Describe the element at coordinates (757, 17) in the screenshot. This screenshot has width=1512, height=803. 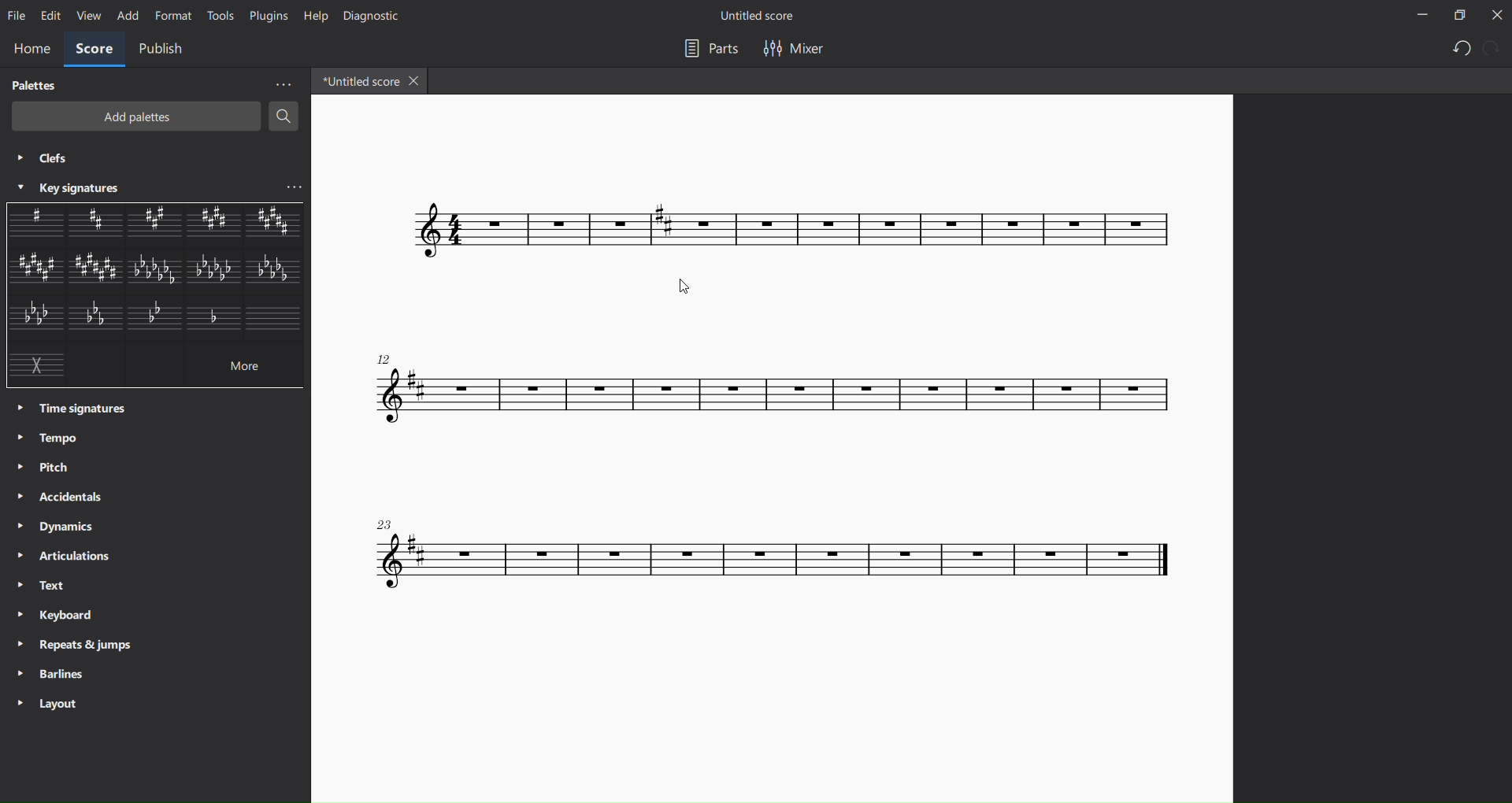
I see `title` at that location.